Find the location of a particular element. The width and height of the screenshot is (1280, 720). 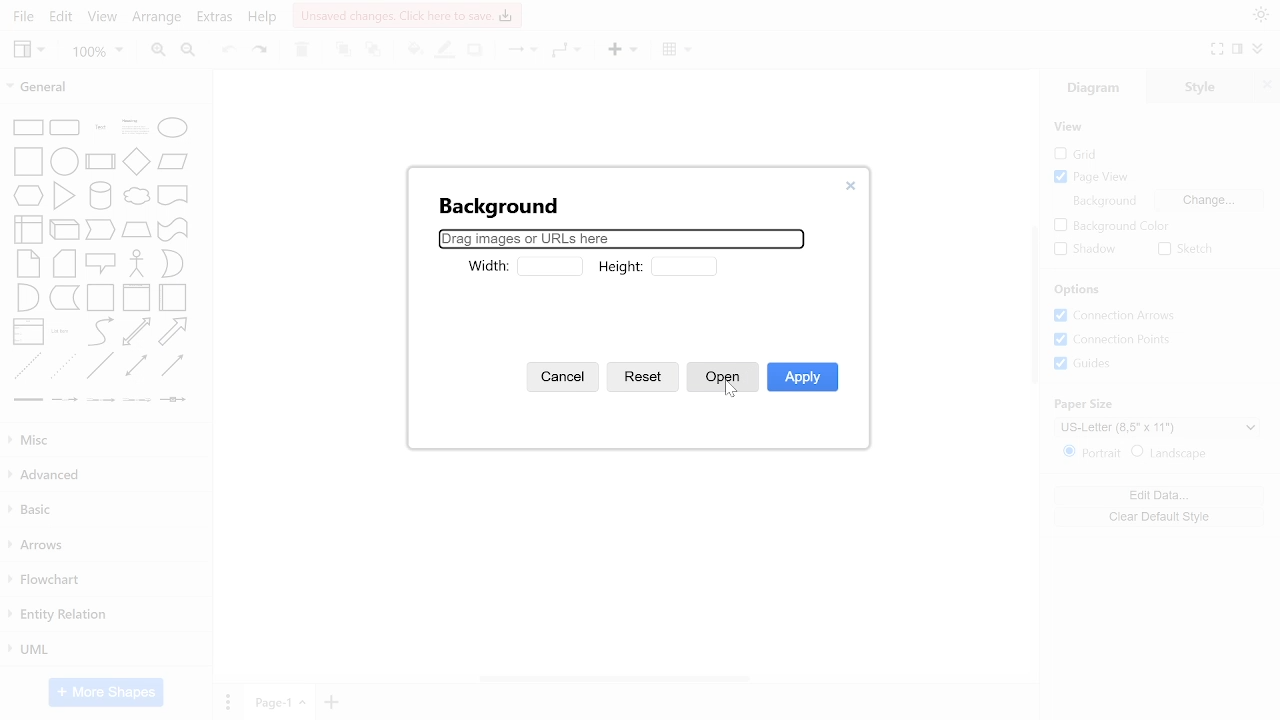

diagram is located at coordinates (1102, 88).